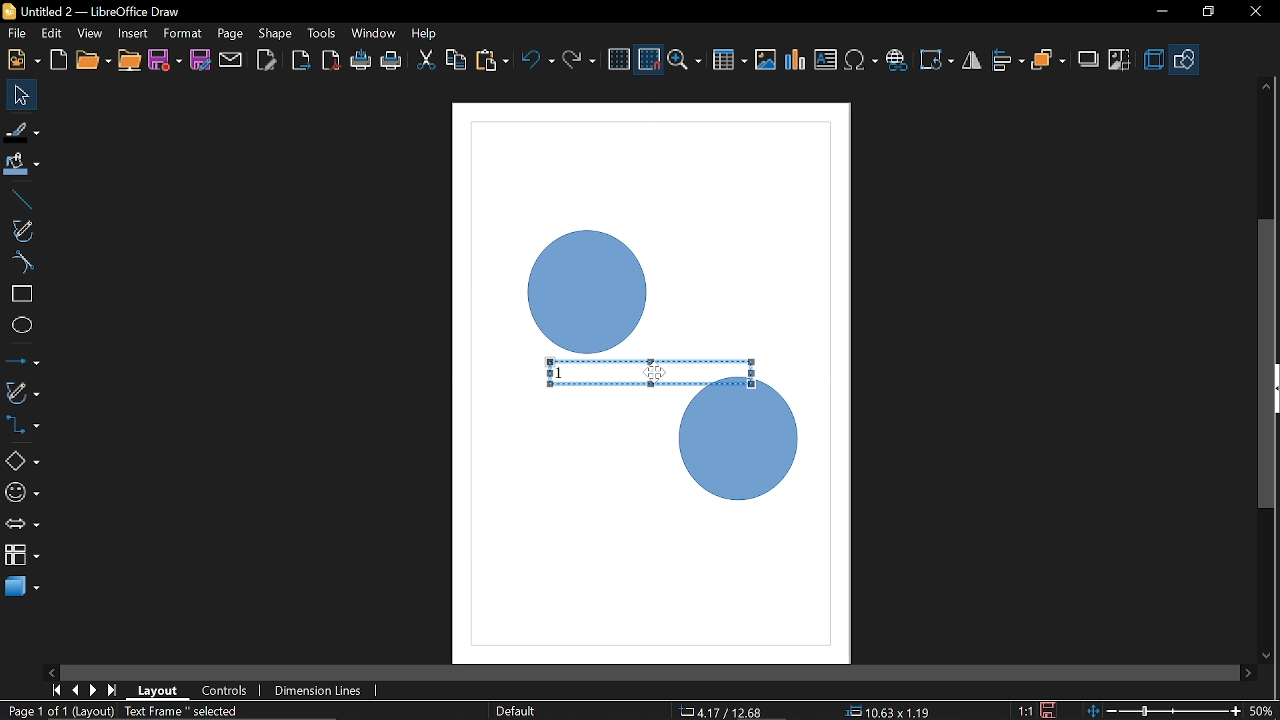  Describe the element at coordinates (23, 95) in the screenshot. I see `Select` at that location.